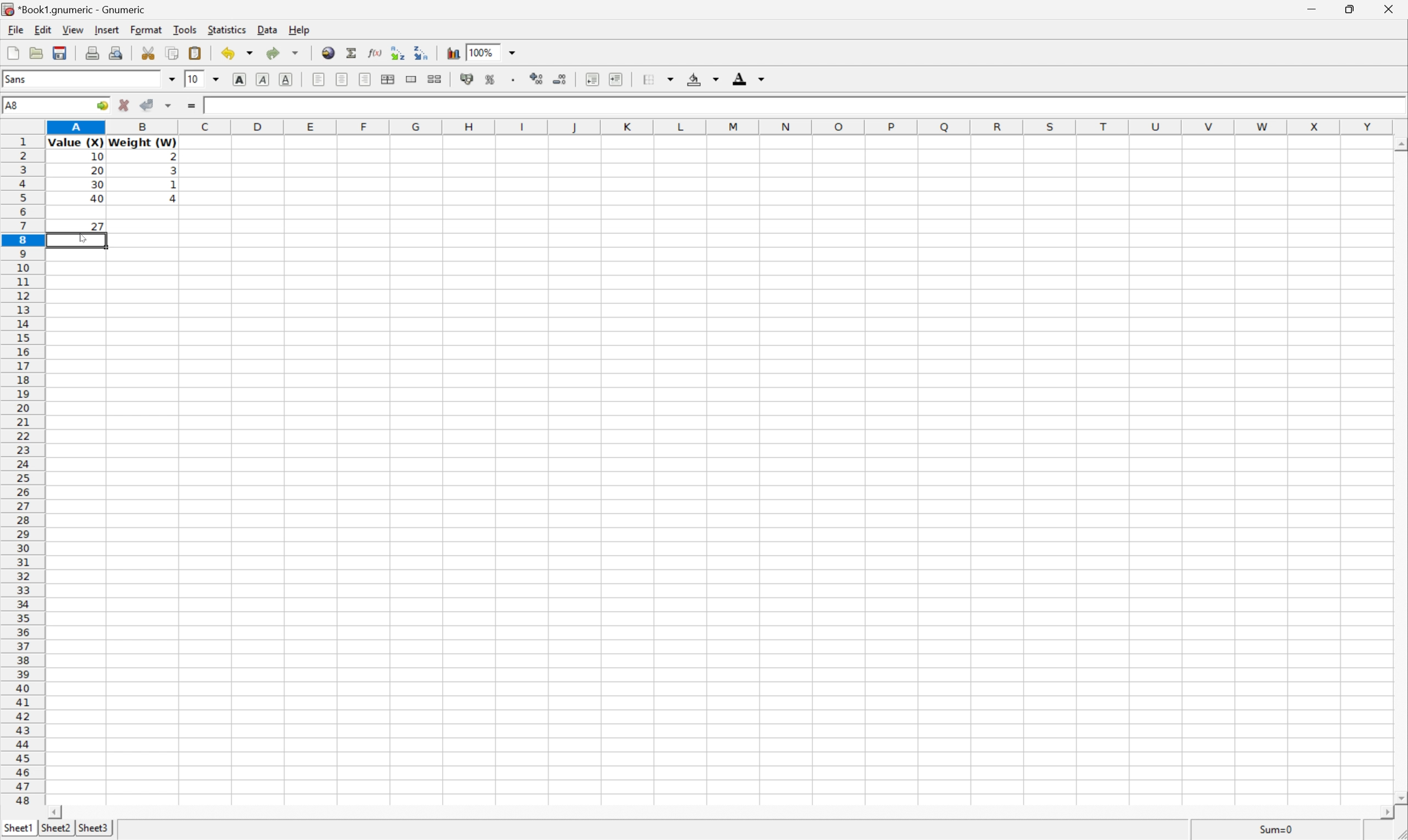 Image resolution: width=1408 pixels, height=840 pixels. Describe the element at coordinates (172, 173) in the screenshot. I see `3` at that location.